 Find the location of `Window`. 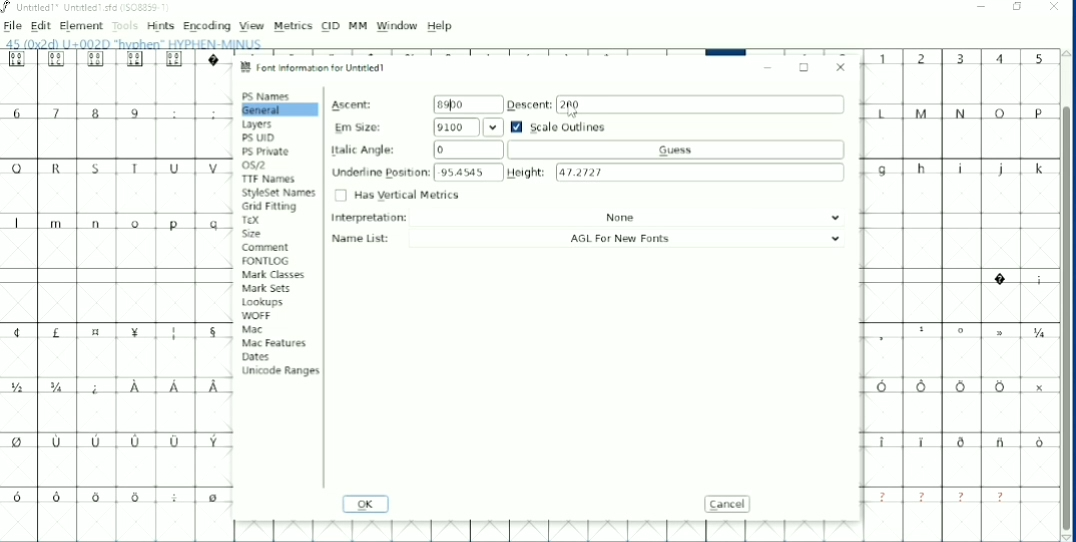

Window is located at coordinates (397, 26).